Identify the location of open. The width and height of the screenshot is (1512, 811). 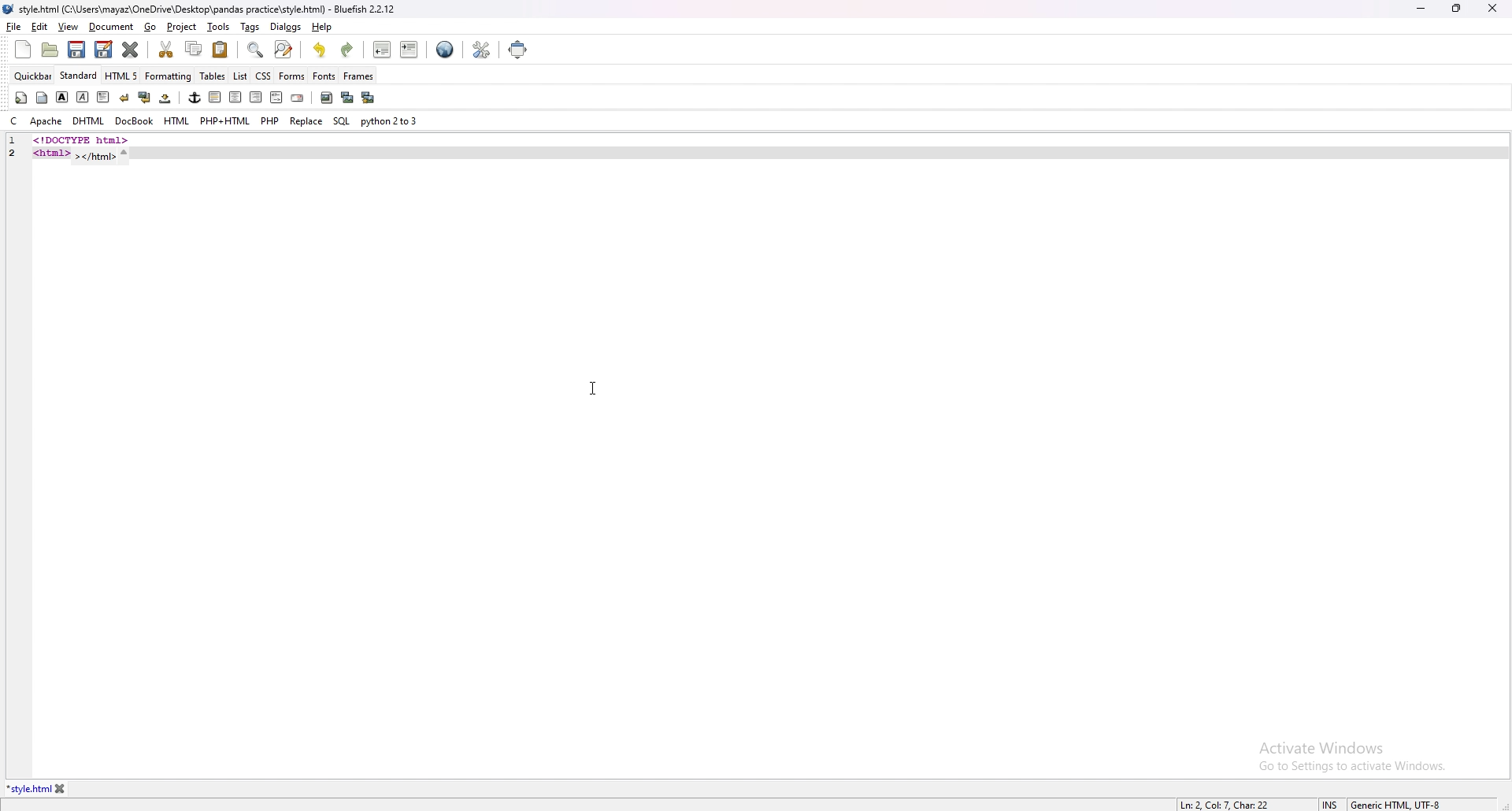
(52, 50).